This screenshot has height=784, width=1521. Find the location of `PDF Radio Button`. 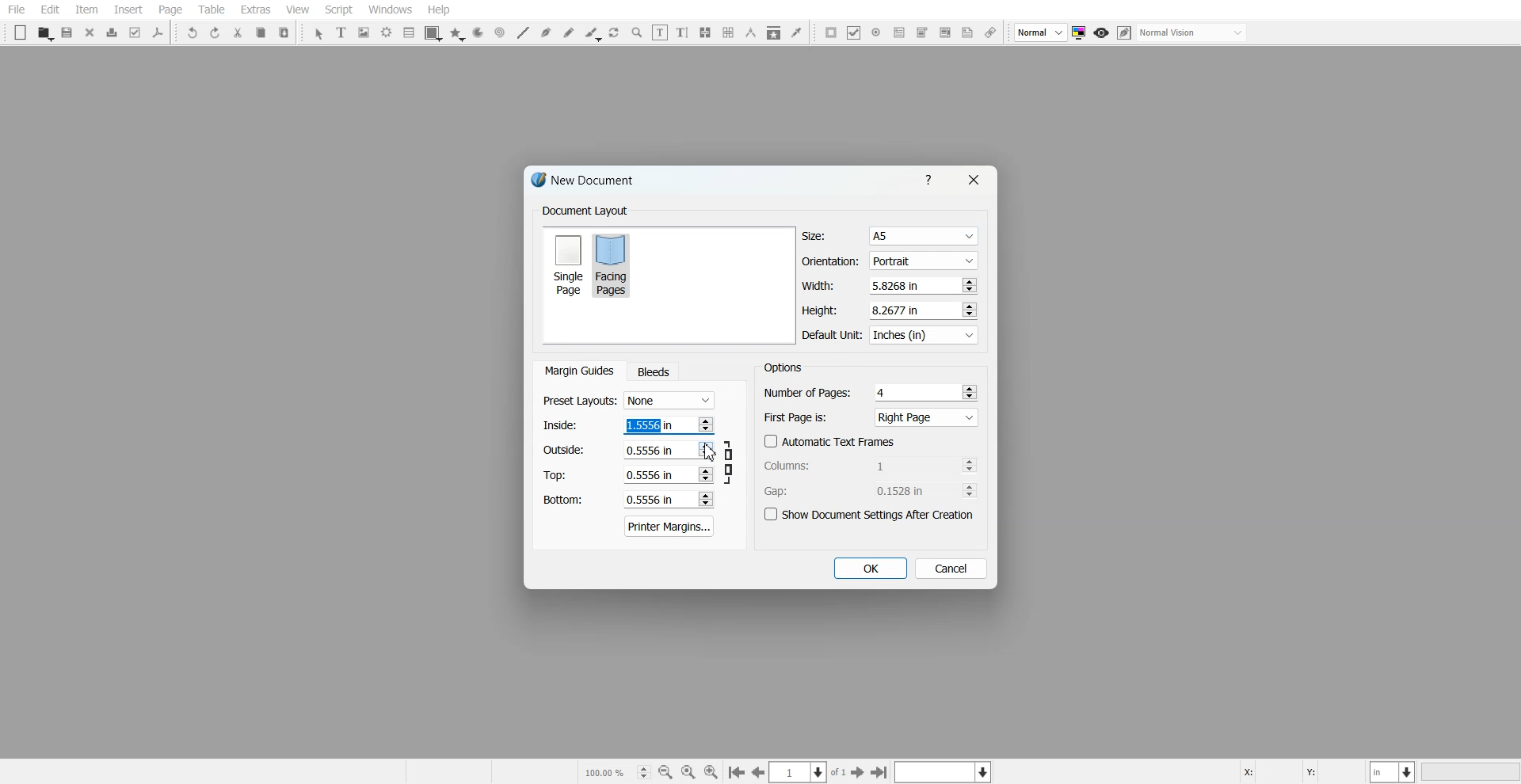

PDF Radio Button is located at coordinates (876, 32).